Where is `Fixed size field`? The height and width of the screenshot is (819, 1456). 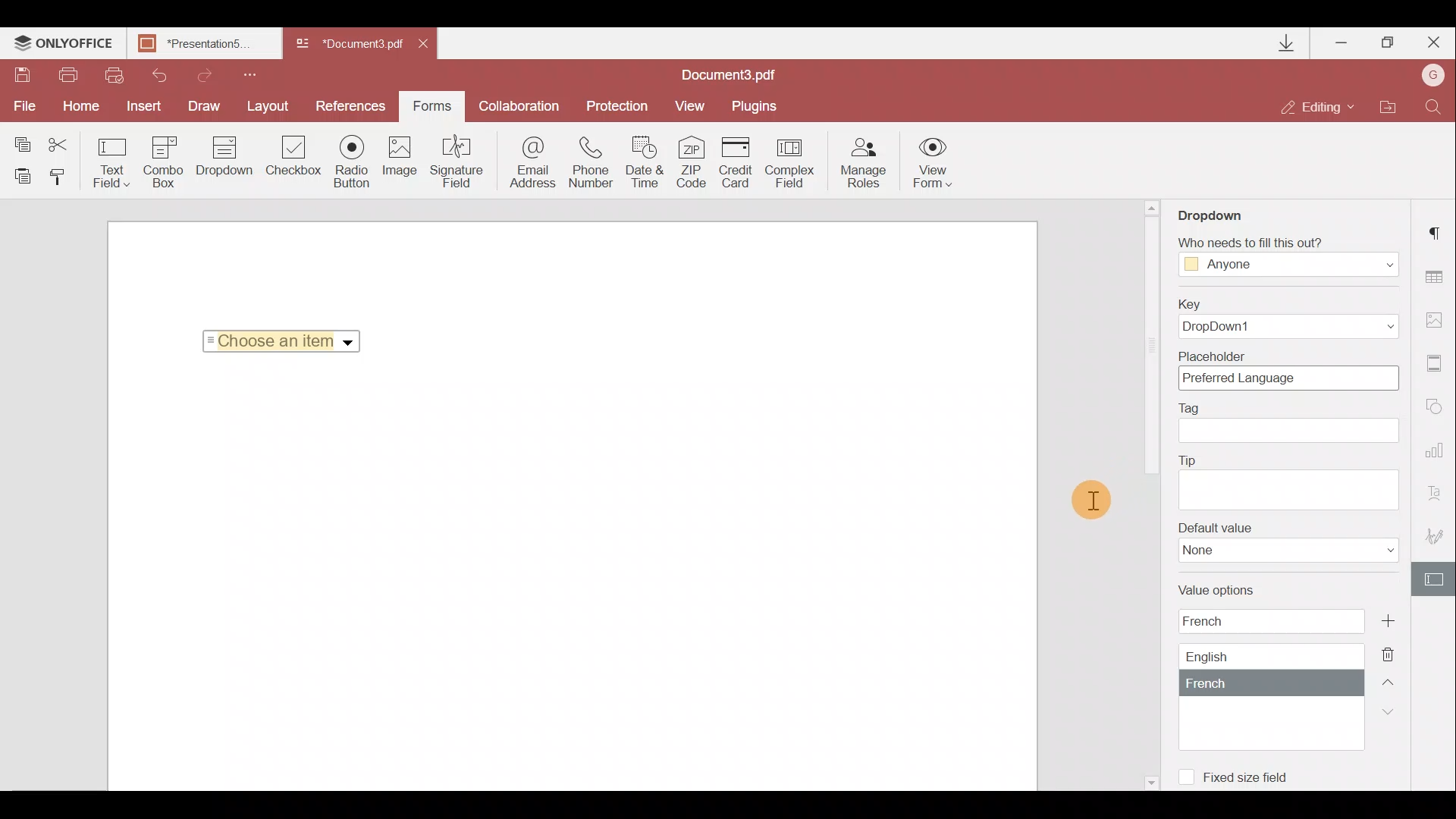 Fixed size field is located at coordinates (1241, 774).